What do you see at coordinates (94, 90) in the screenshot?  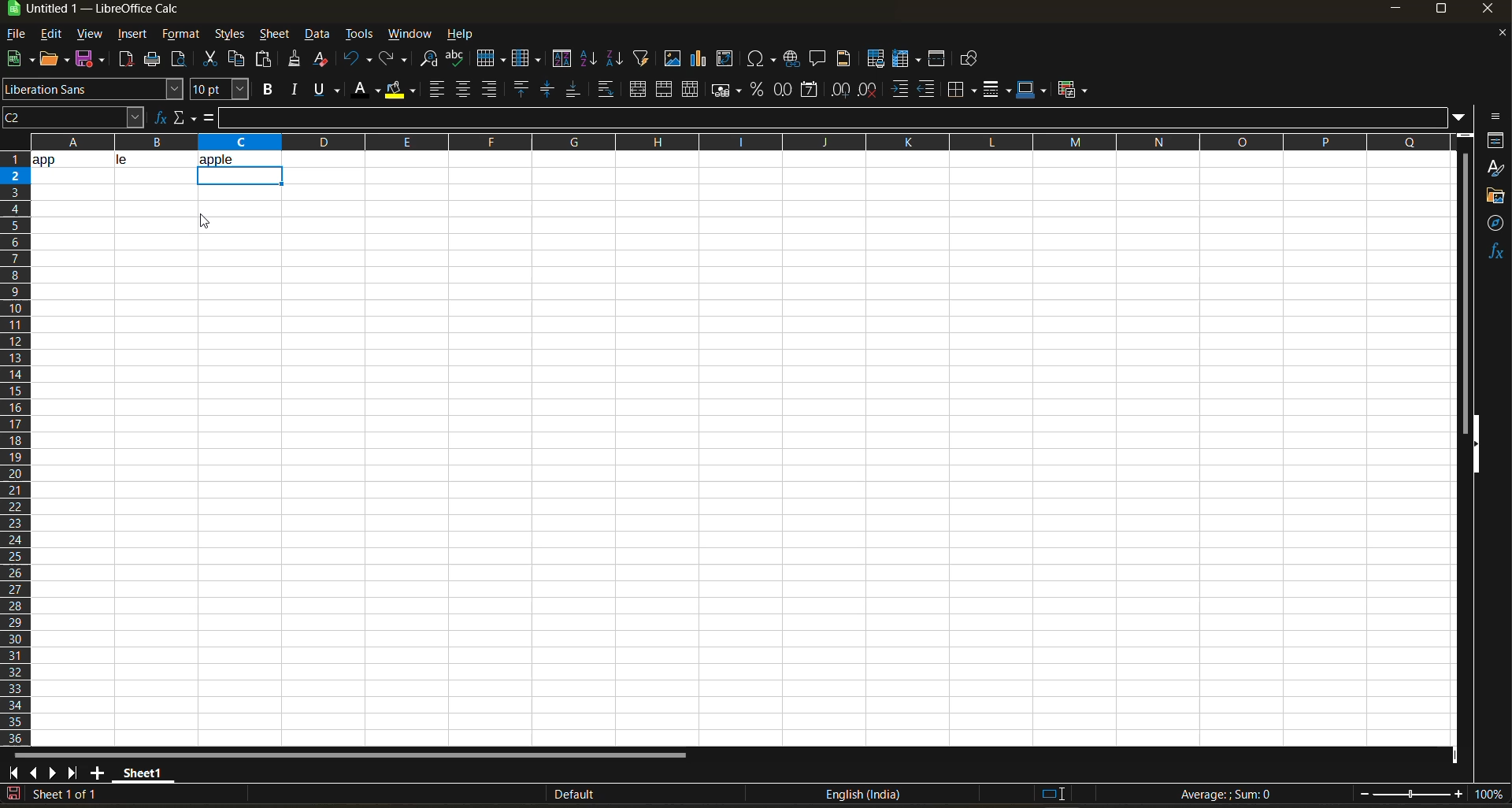 I see `font name` at bounding box center [94, 90].